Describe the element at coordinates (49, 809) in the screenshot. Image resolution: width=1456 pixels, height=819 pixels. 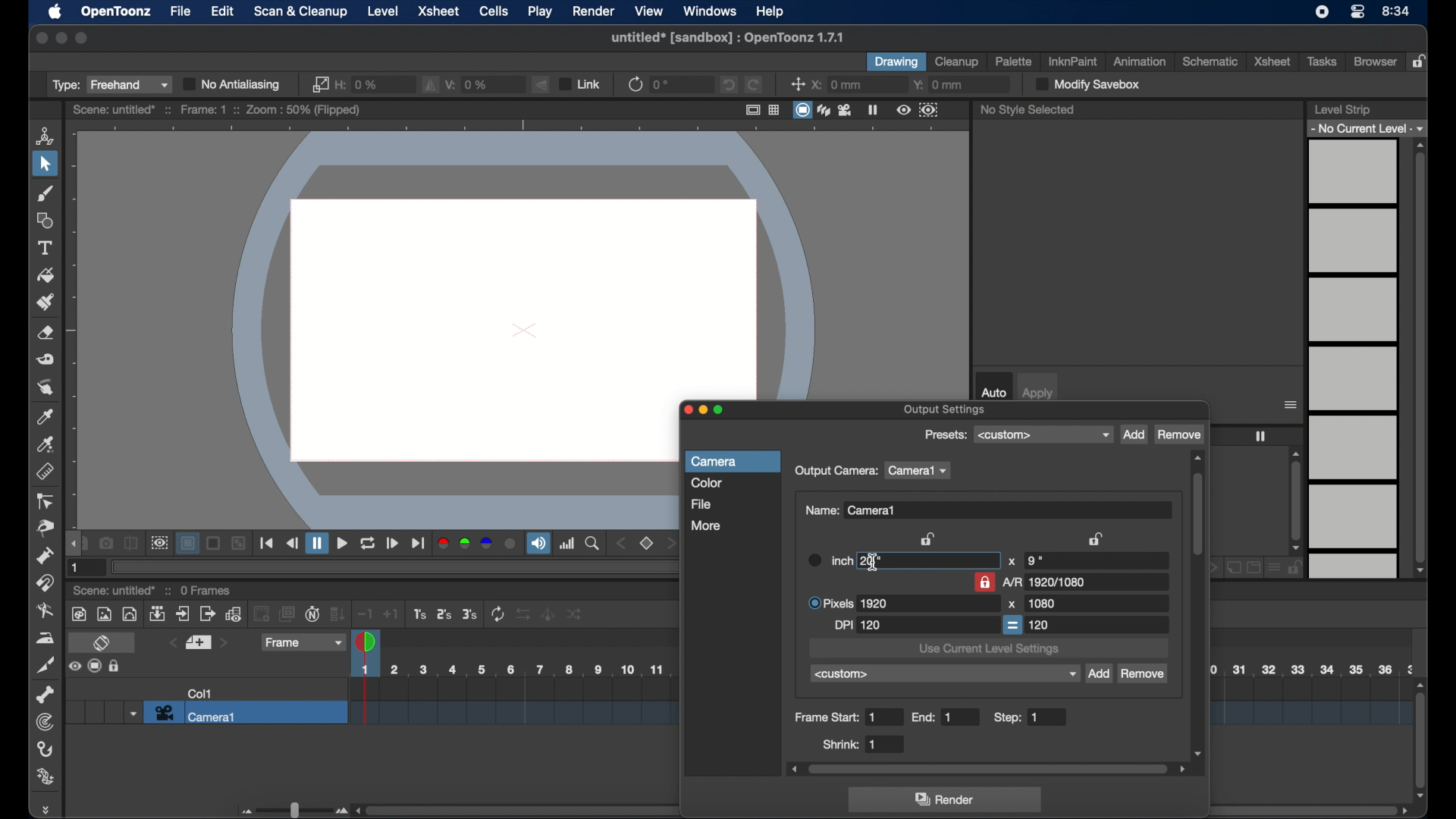
I see `drag handle` at that location.